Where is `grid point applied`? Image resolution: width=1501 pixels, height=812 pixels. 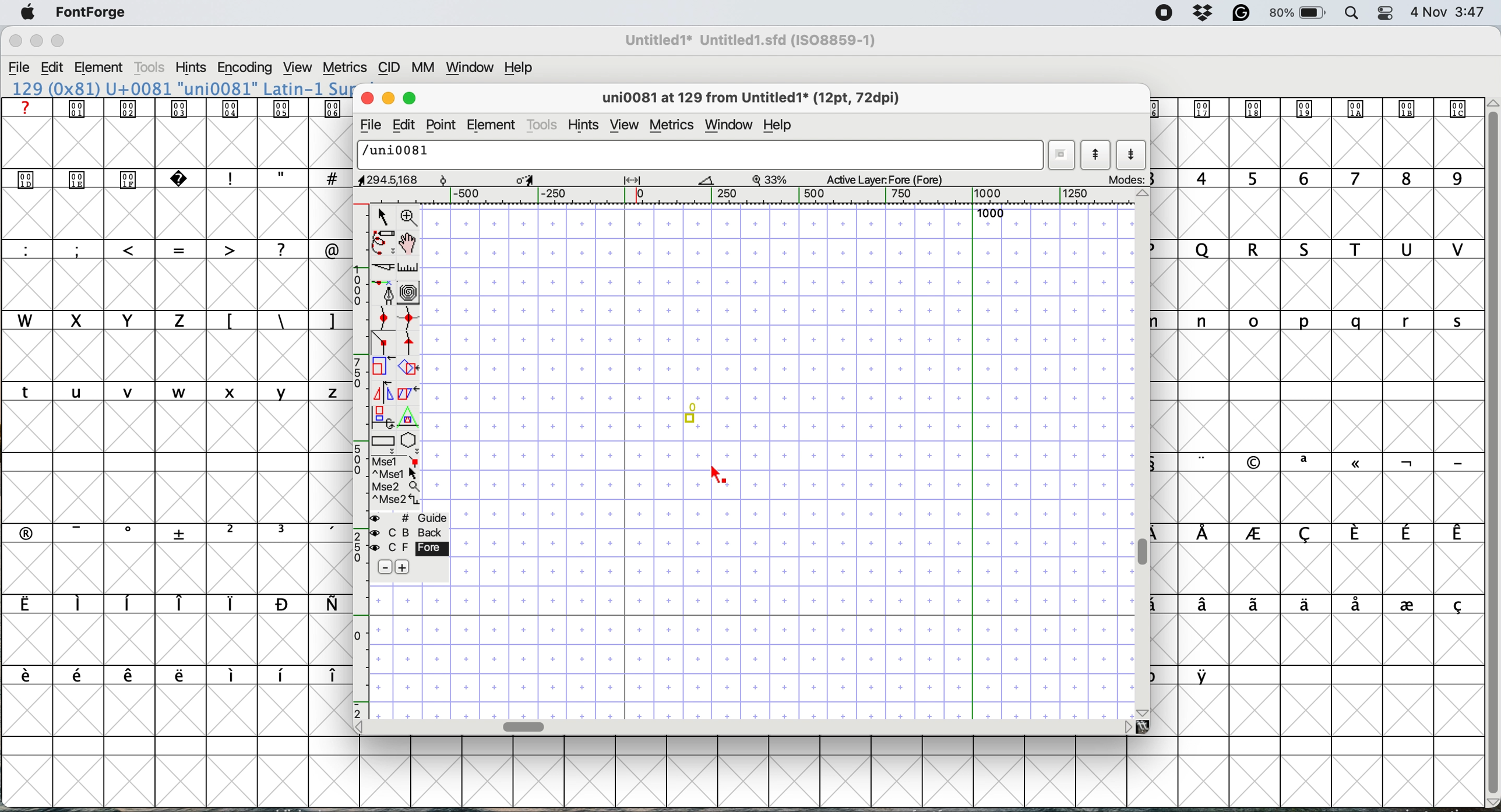 grid point applied is located at coordinates (778, 459).